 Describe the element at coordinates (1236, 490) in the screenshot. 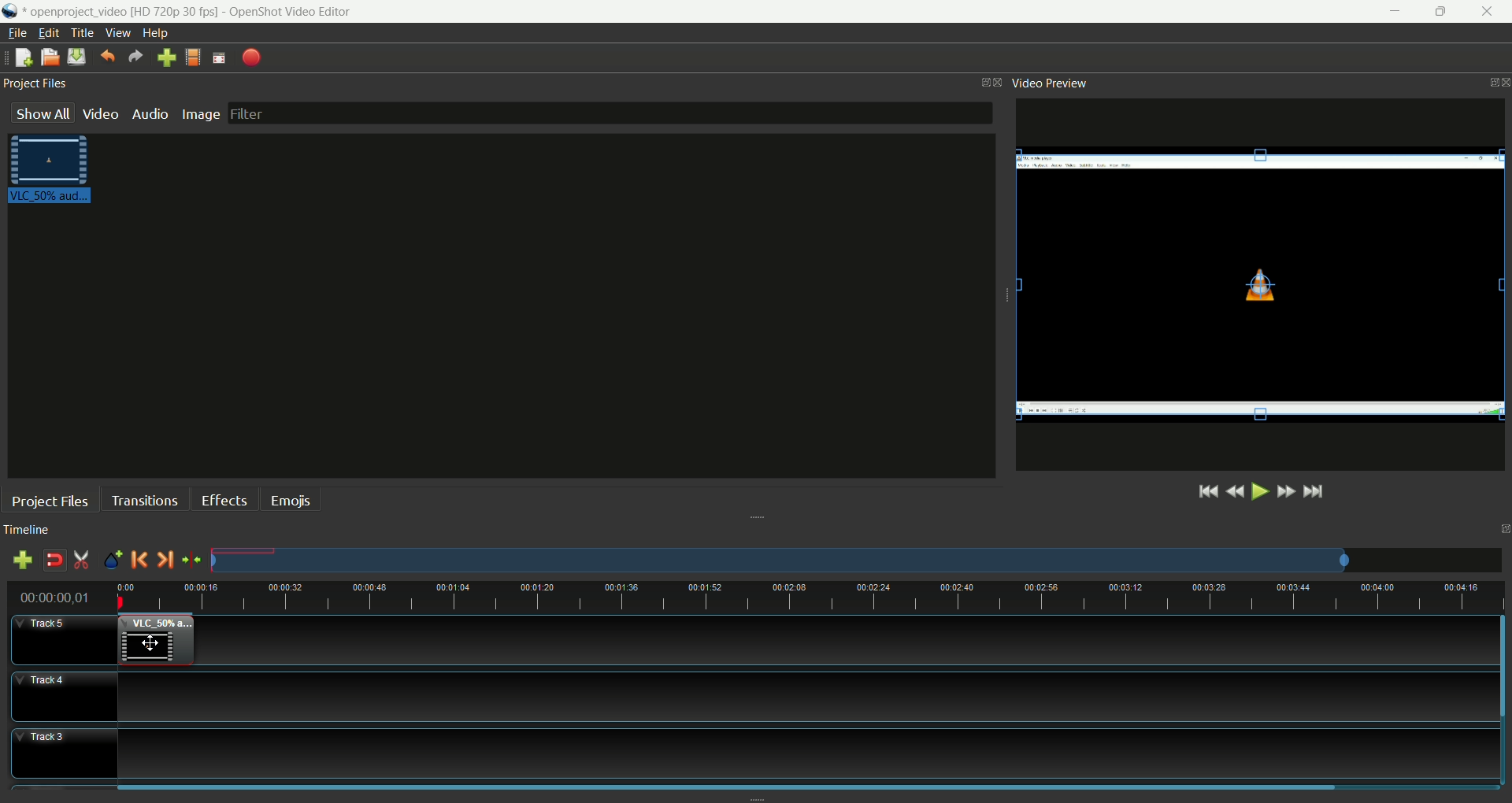

I see `rewind` at that location.